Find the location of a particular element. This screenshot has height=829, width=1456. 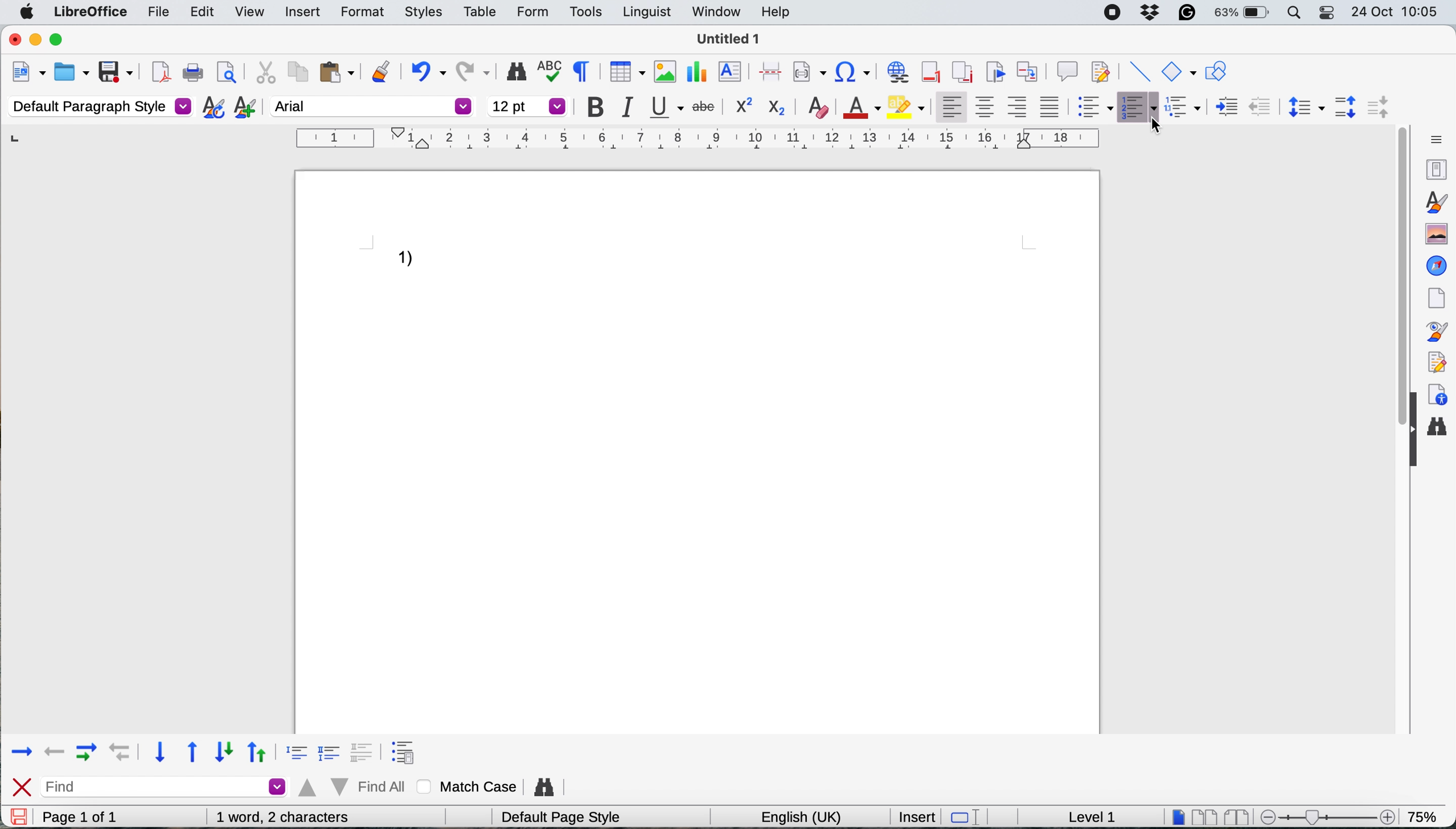

insert hyperlink is located at coordinates (897, 73).